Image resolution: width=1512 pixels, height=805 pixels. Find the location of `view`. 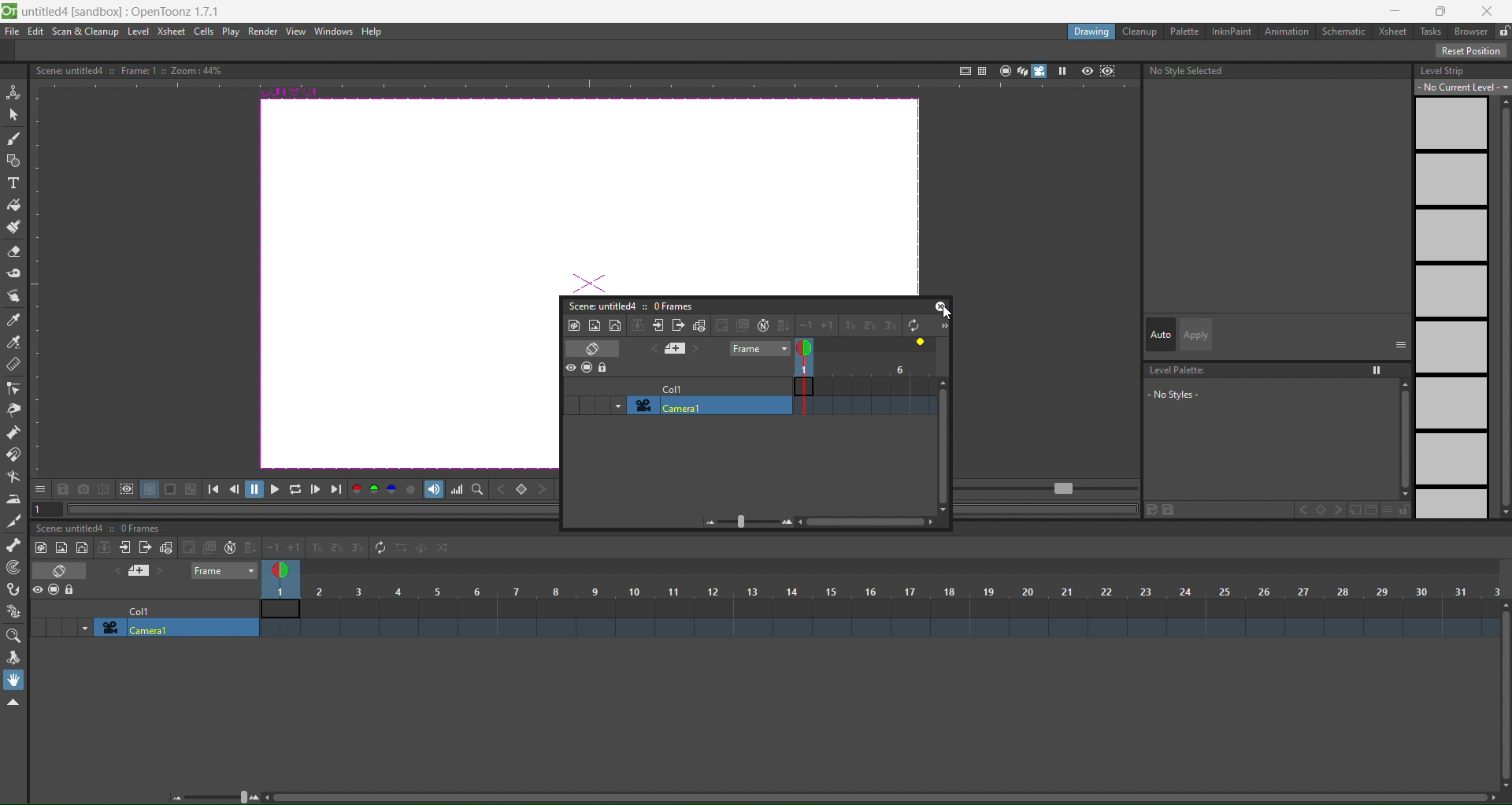

view is located at coordinates (295, 32).